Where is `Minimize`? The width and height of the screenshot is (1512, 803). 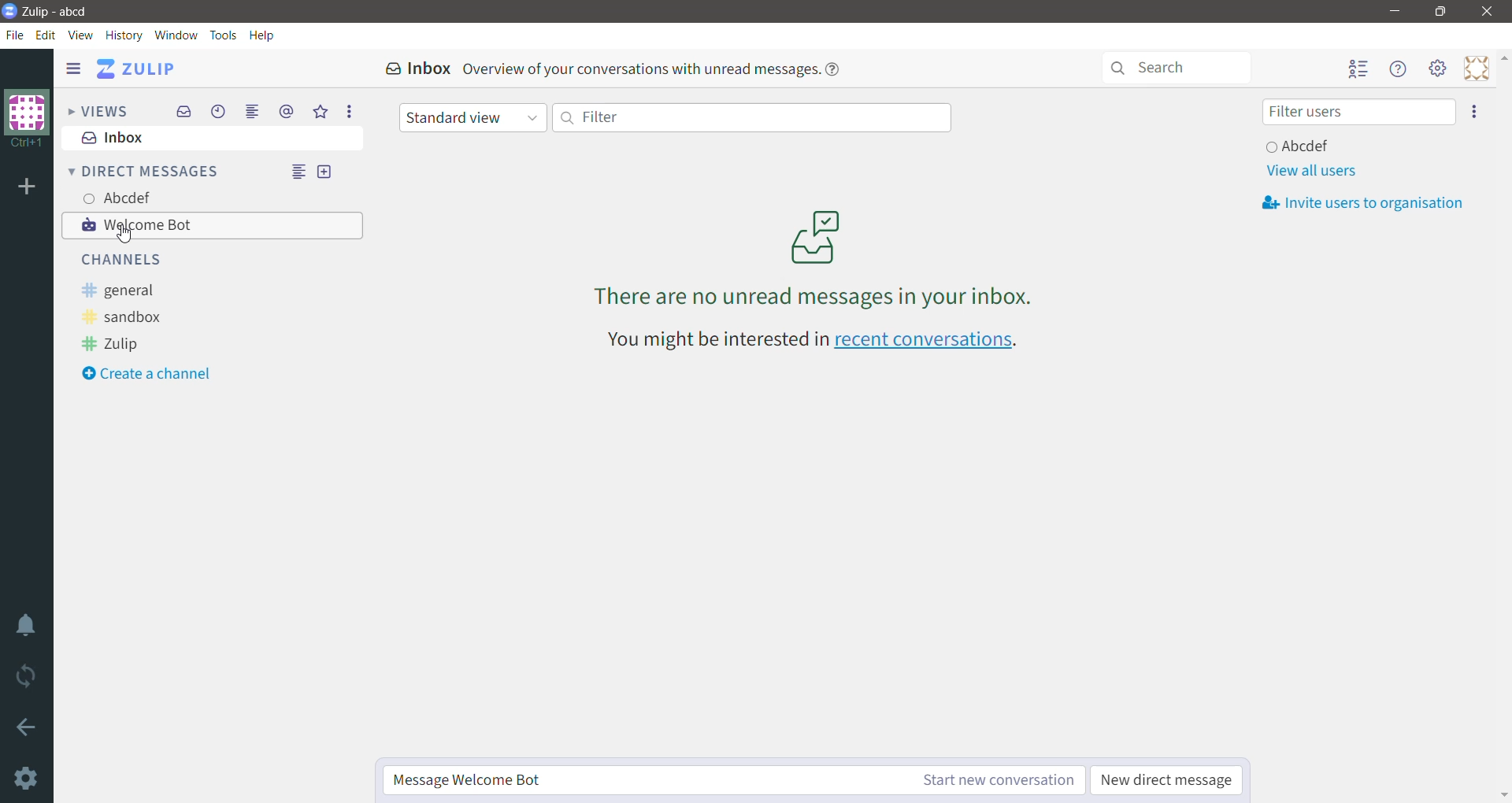 Minimize is located at coordinates (1392, 11).